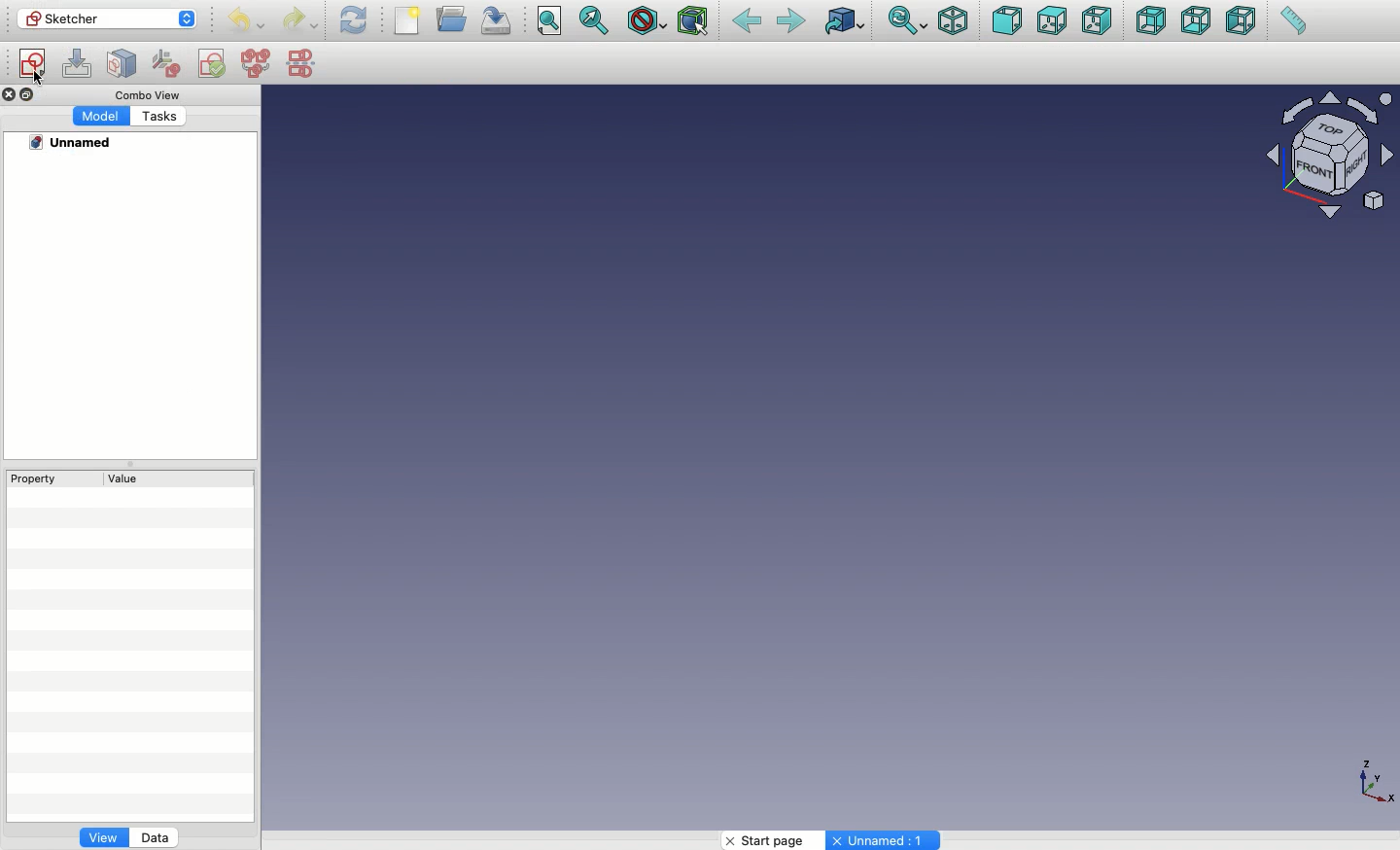  Describe the element at coordinates (1291, 22) in the screenshot. I see `Measure` at that location.